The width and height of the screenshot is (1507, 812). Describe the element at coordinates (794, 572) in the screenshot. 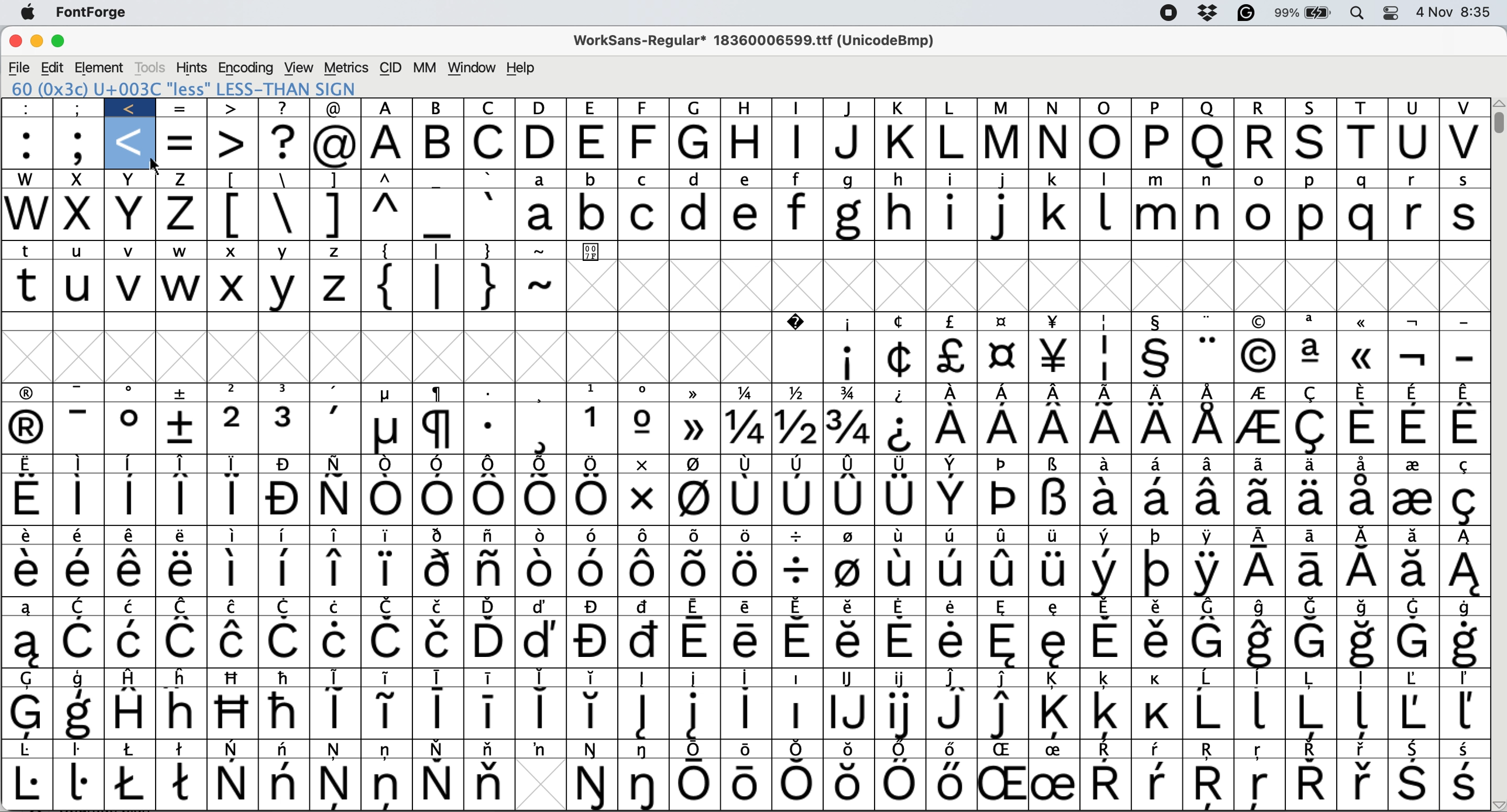

I see `Symbol` at that location.